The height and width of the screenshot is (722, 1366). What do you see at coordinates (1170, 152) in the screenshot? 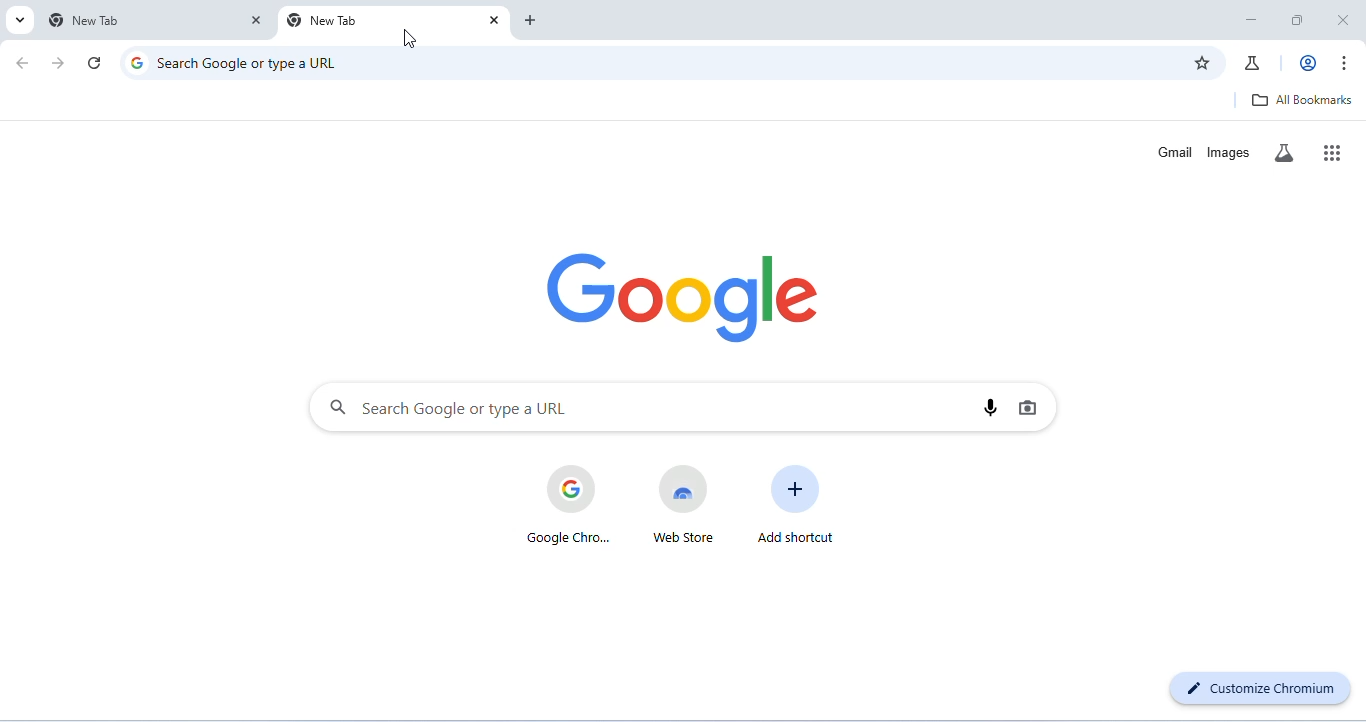
I see `gmail` at bounding box center [1170, 152].